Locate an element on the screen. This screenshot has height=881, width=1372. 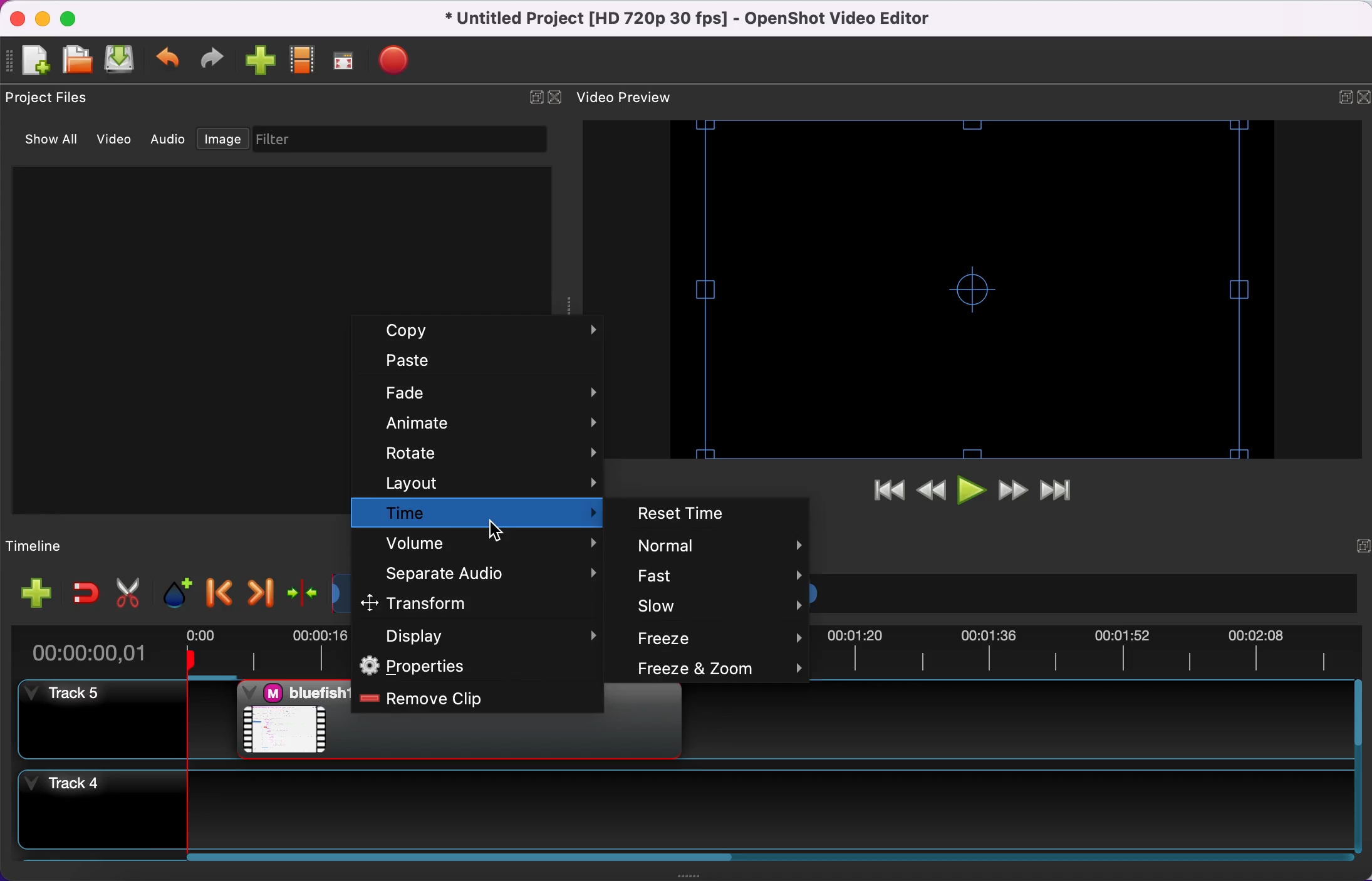
copy is located at coordinates (491, 332).